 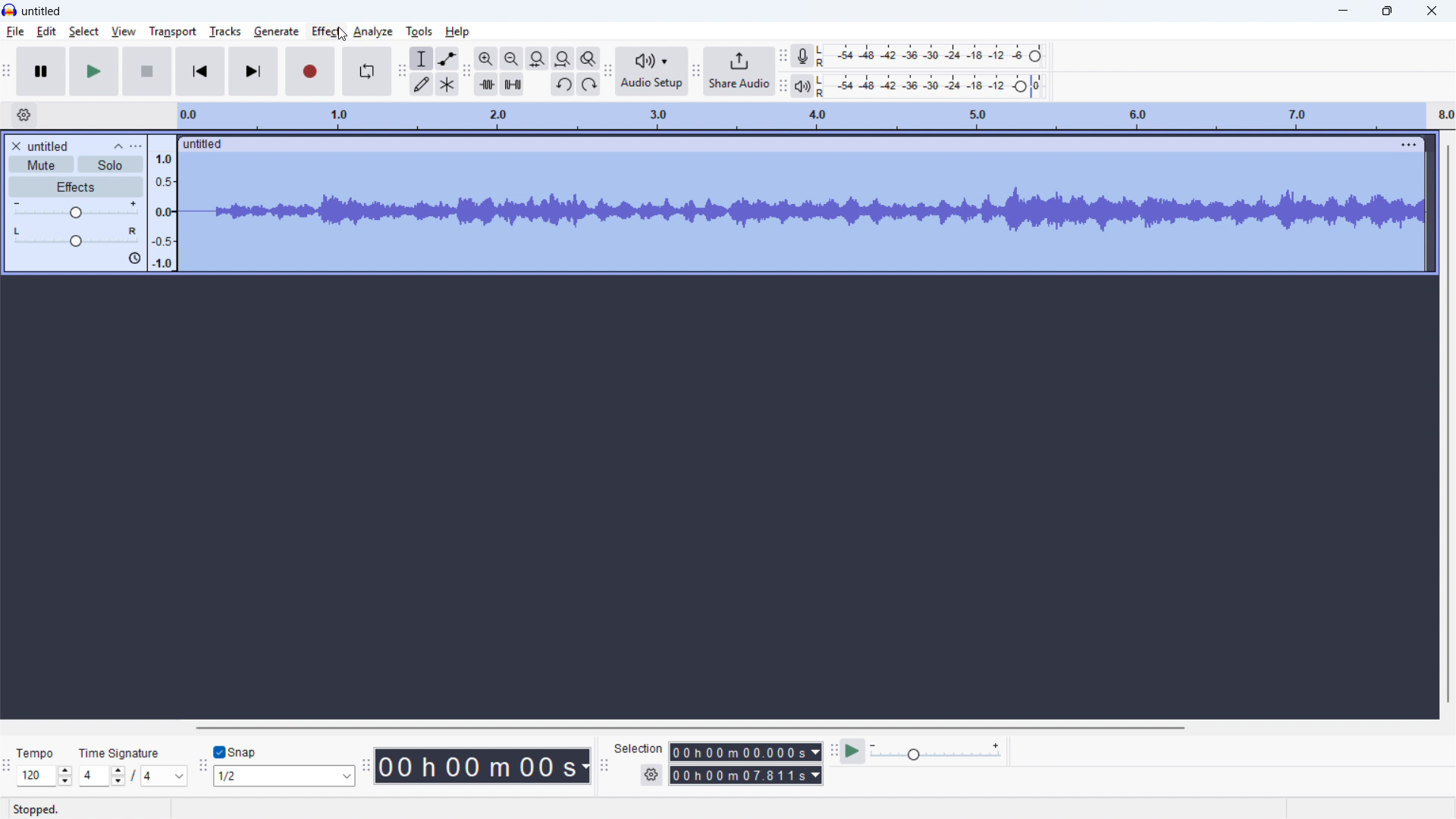 I want to click on skip to end, so click(x=255, y=71).